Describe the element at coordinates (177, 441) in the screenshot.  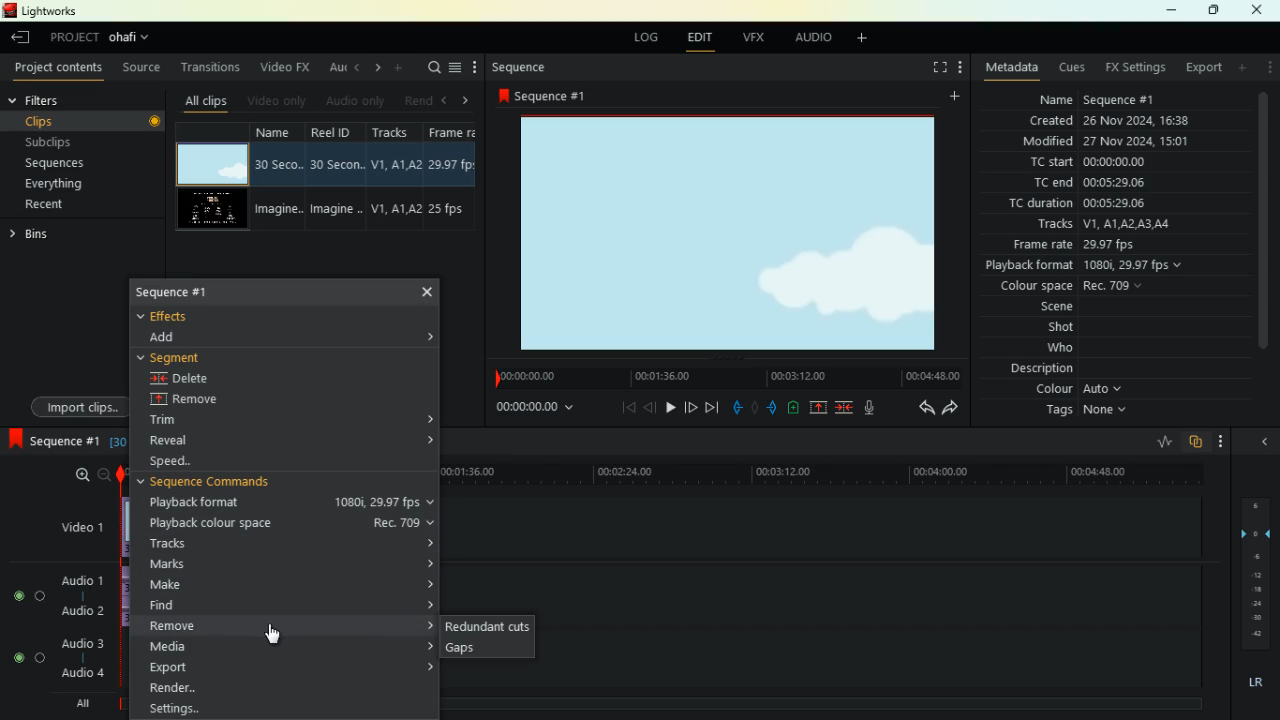
I see `reveal` at that location.